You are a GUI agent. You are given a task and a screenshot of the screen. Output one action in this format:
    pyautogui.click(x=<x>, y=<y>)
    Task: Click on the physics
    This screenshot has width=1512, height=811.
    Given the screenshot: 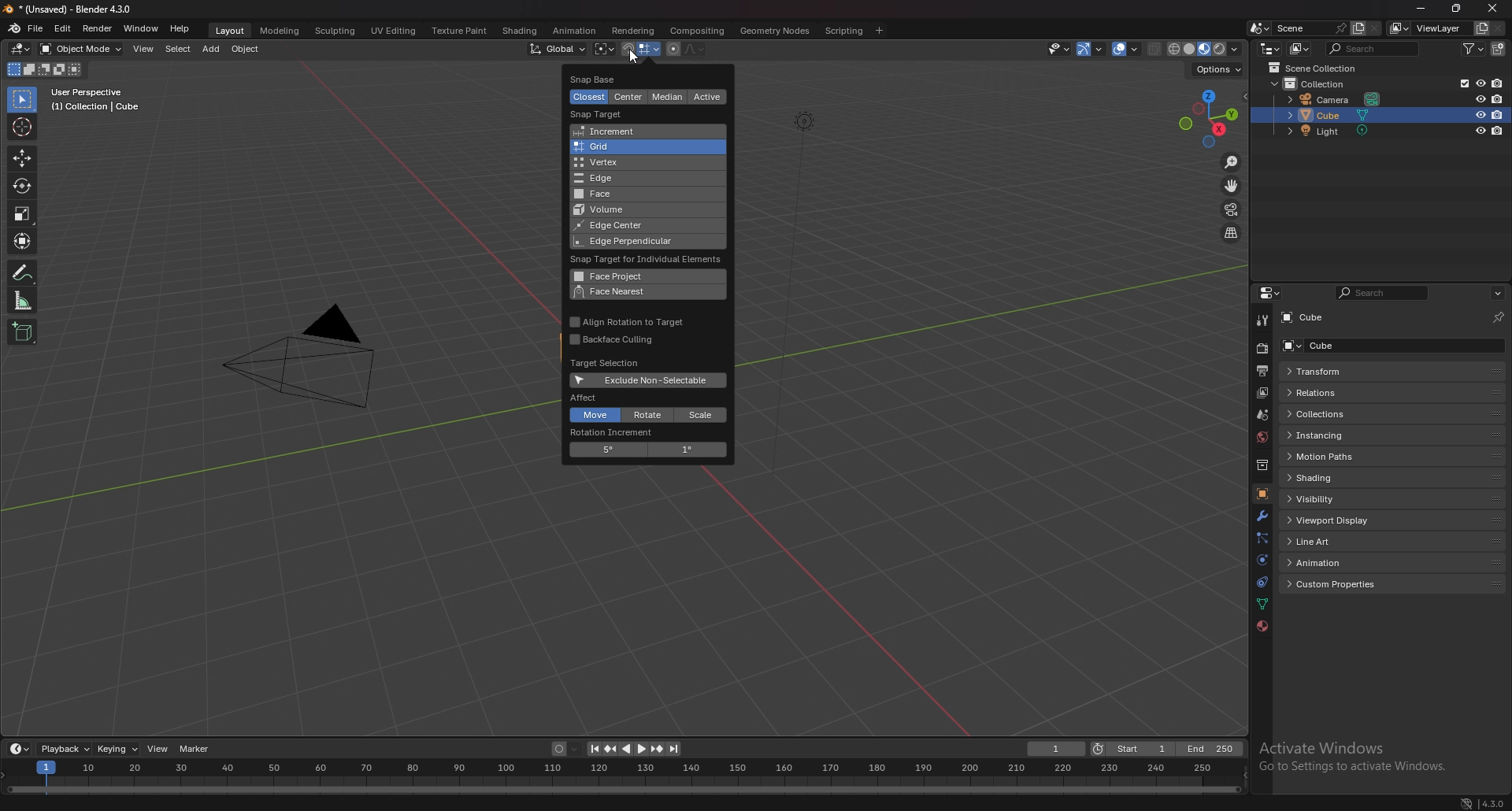 What is the action you would take?
    pyautogui.click(x=1262, y=560)
    